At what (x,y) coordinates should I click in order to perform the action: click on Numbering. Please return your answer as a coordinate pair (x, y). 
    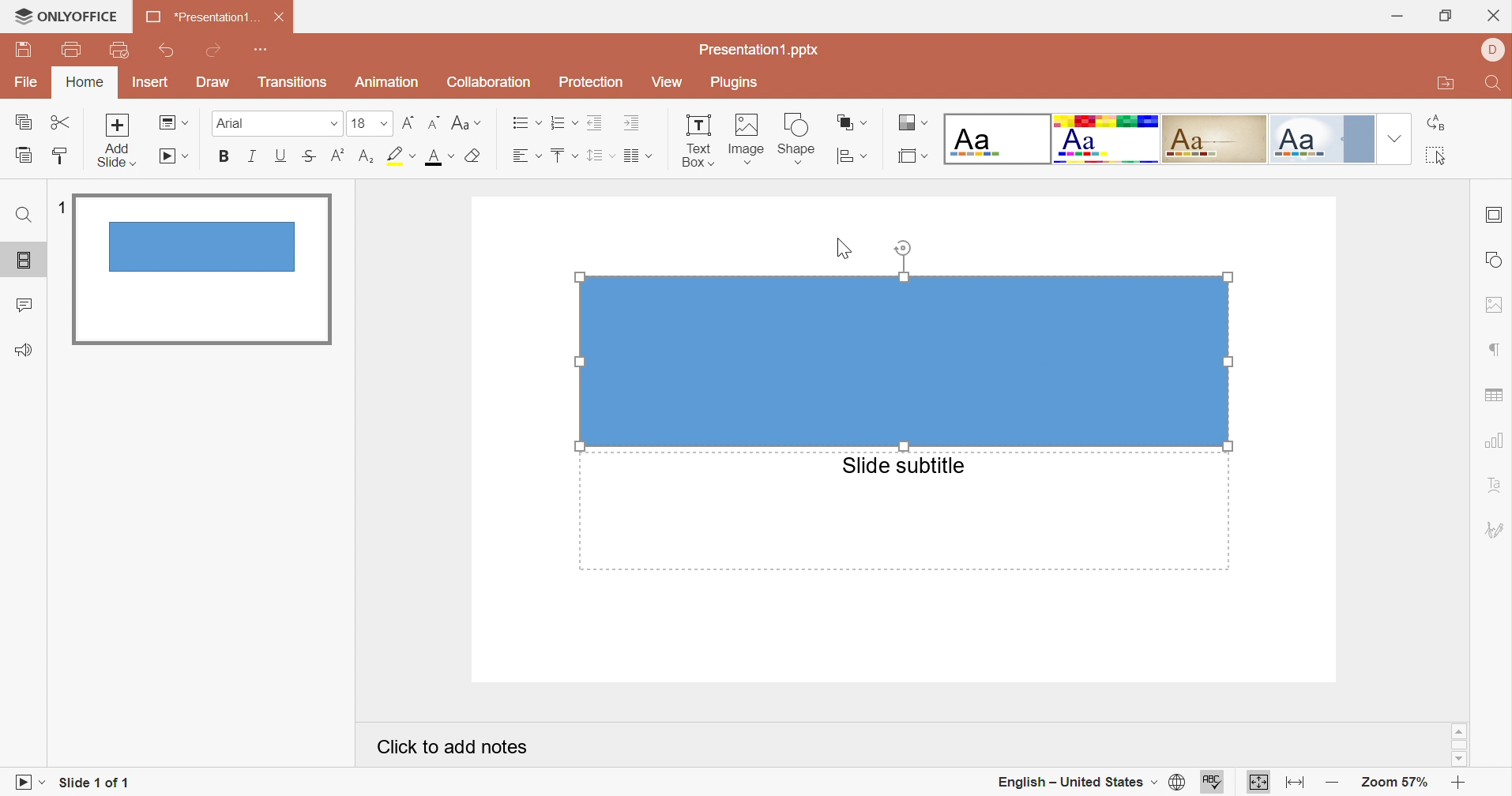
    Looking at the image, I should click on (564, 122).